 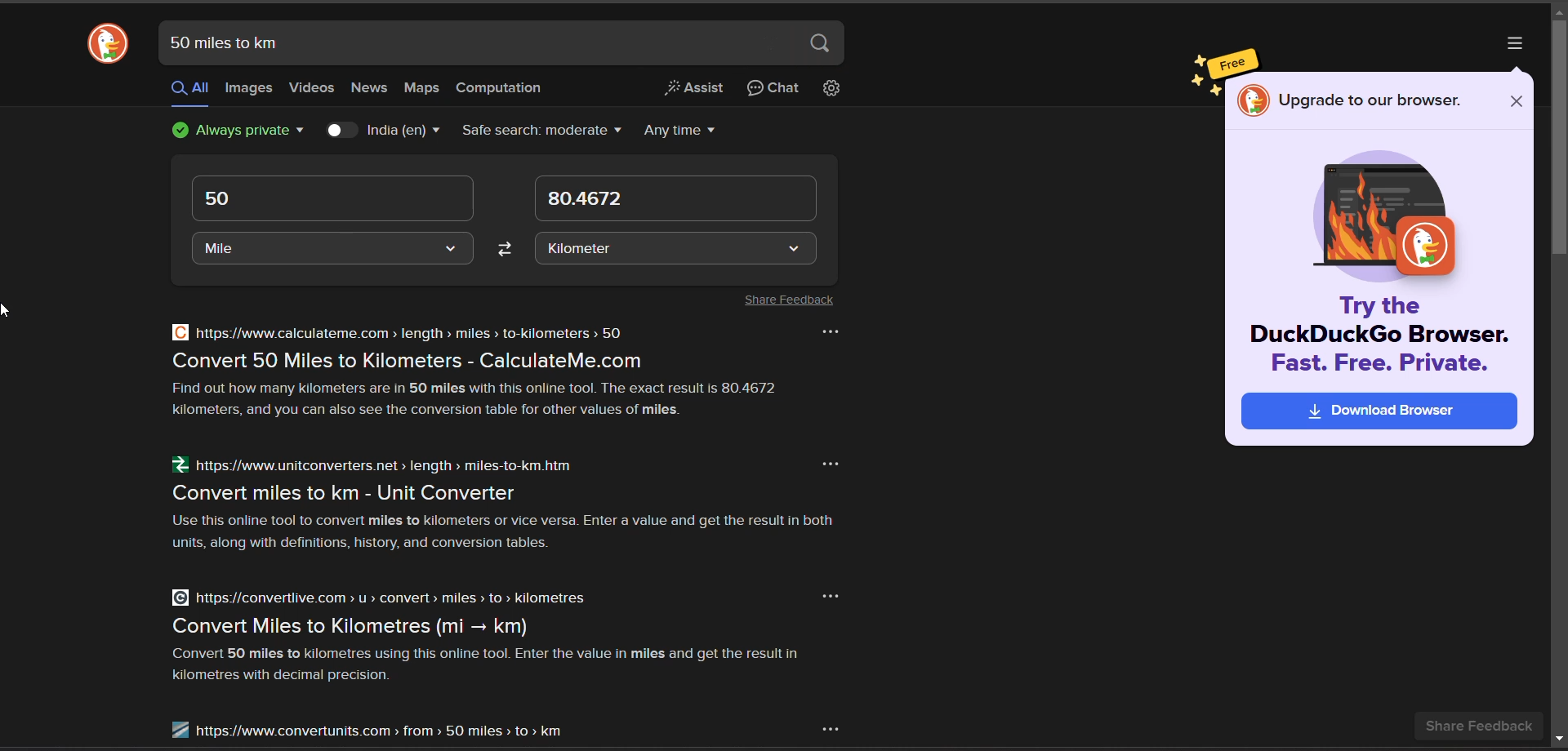 I want to click on ZZ https://www.convertunits.com > from > 50 miles > to > km, so click(x=365, y=728).